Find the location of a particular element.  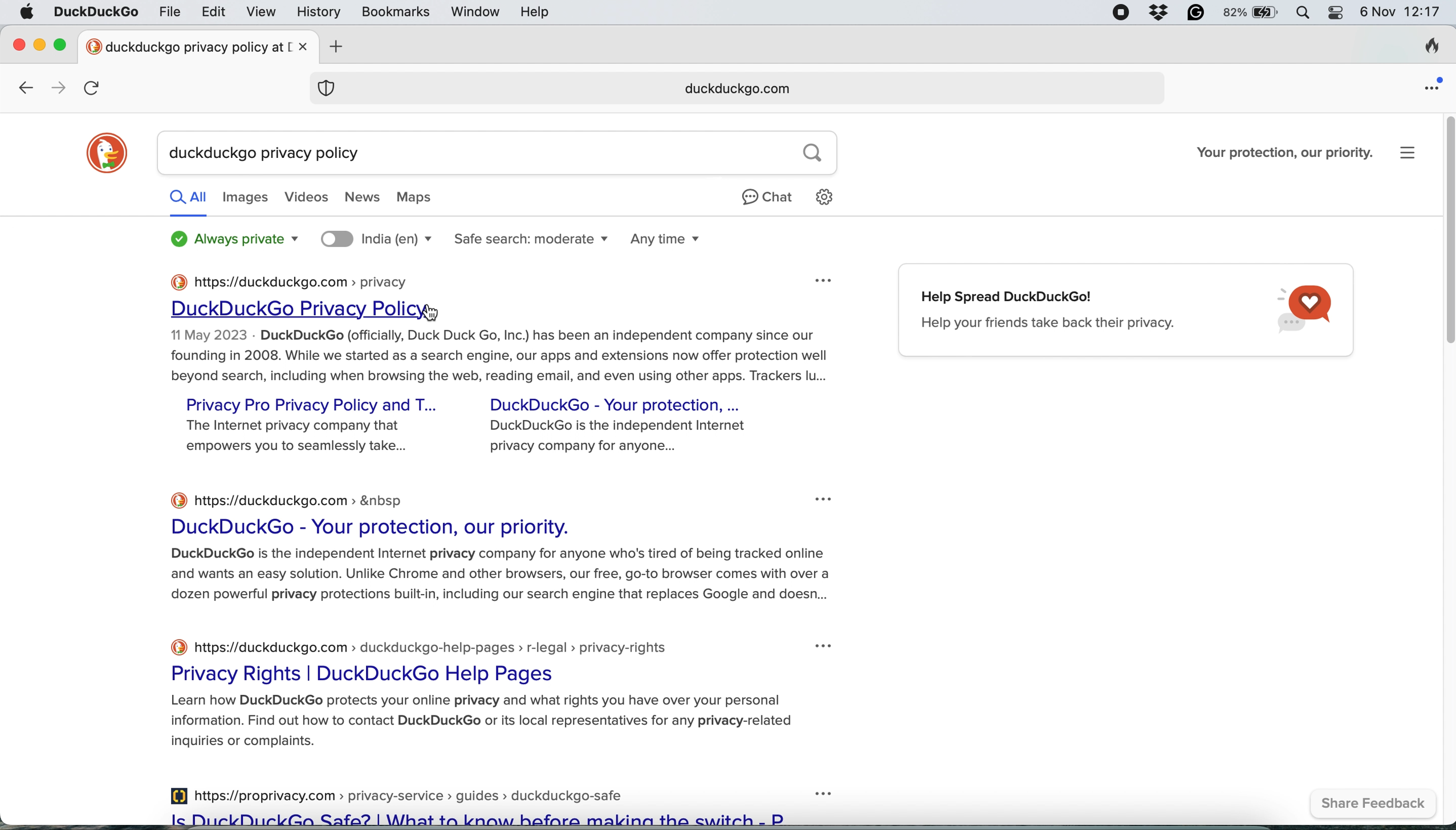

https://duckduckgo.com > privacy is located at coordinates (287, 282).